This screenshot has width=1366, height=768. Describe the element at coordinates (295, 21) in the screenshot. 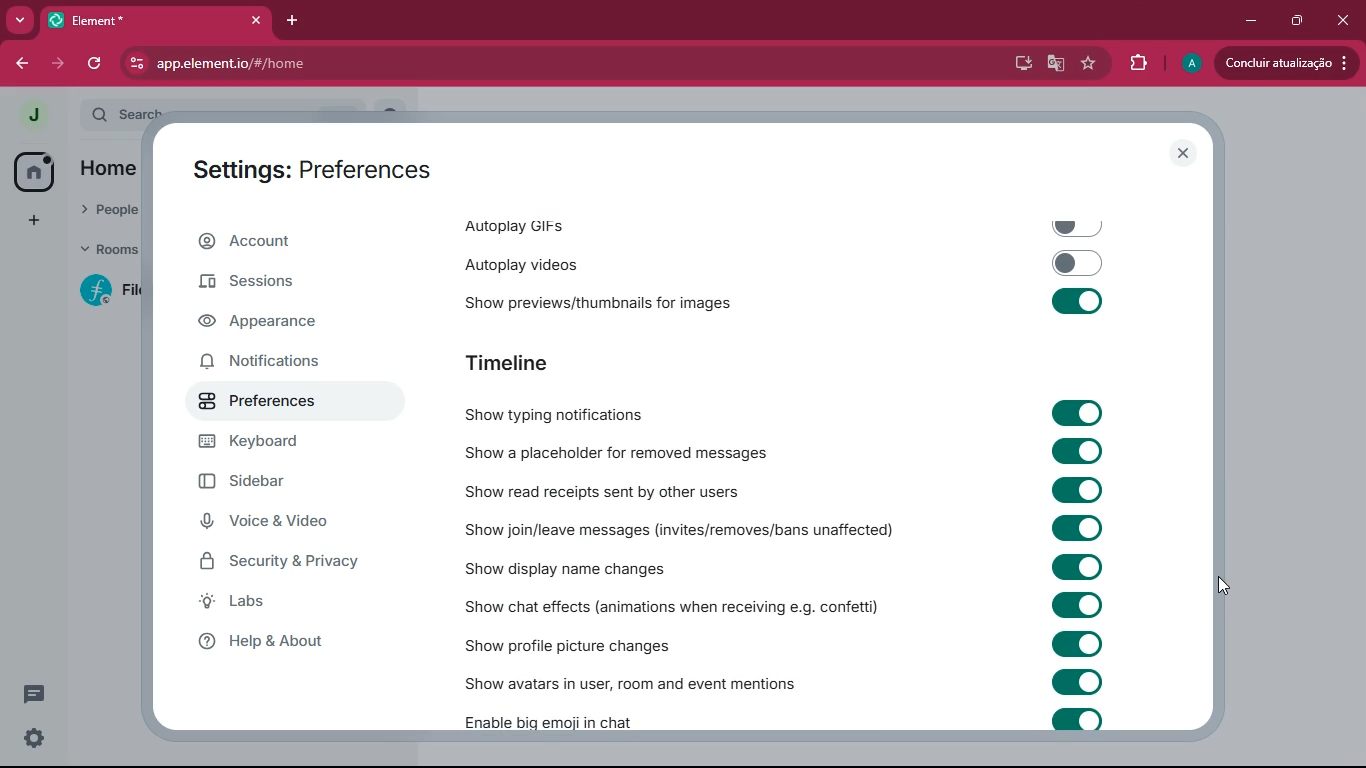

I see `add tab` at that location.